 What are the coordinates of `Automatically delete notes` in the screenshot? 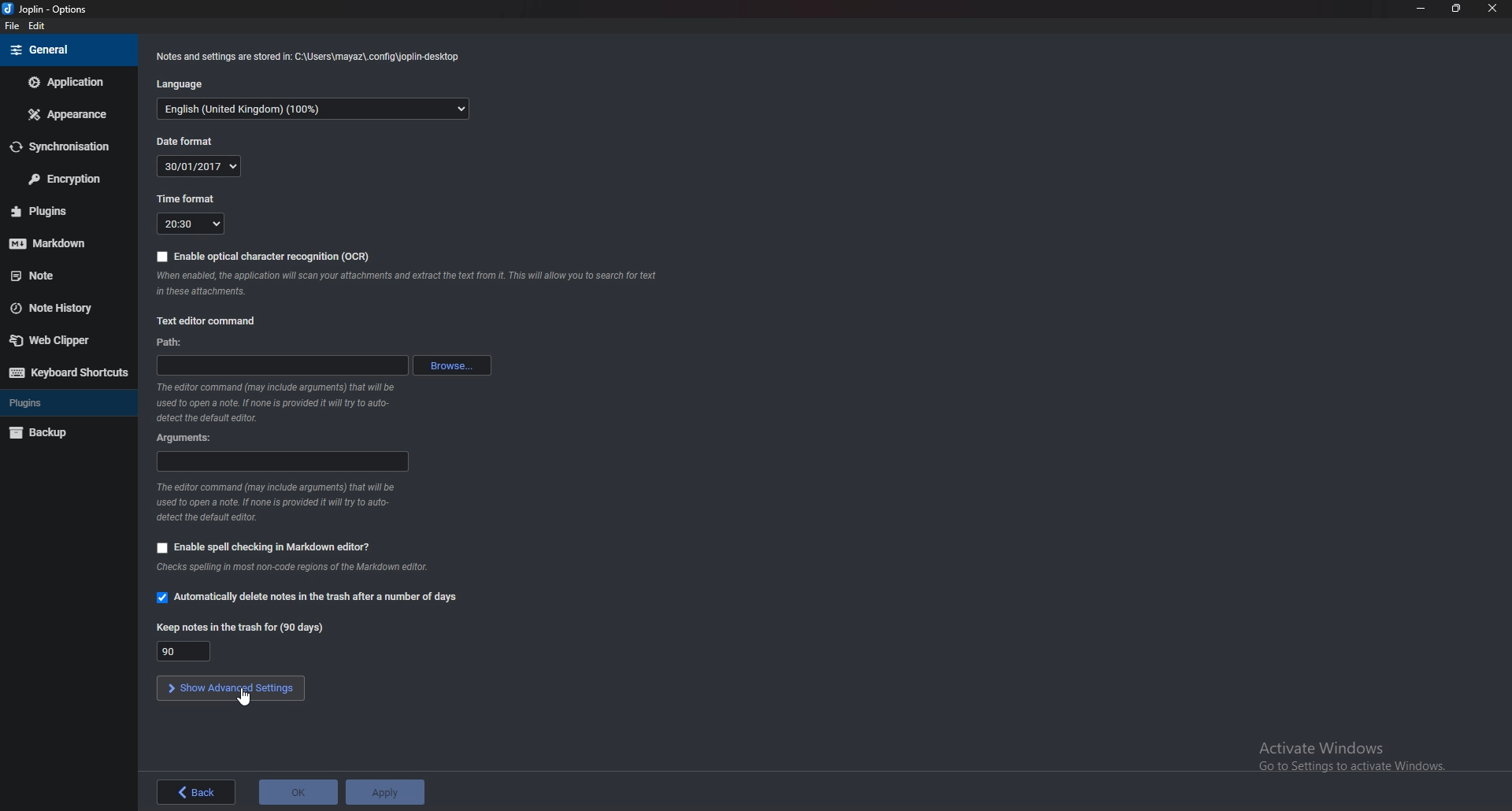 It's located at (310, 600).